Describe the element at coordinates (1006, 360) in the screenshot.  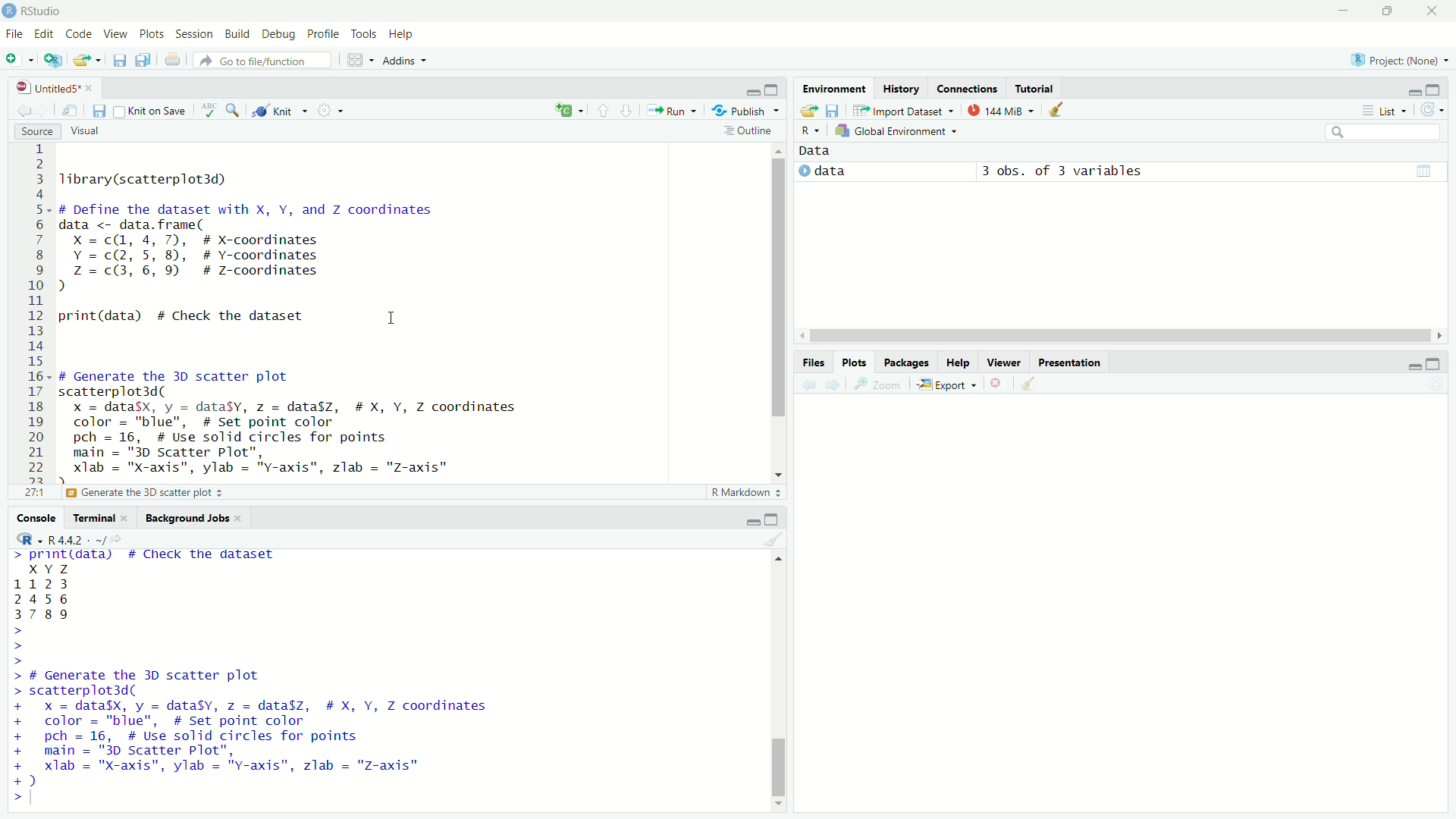
I see `Viewer` at that location.